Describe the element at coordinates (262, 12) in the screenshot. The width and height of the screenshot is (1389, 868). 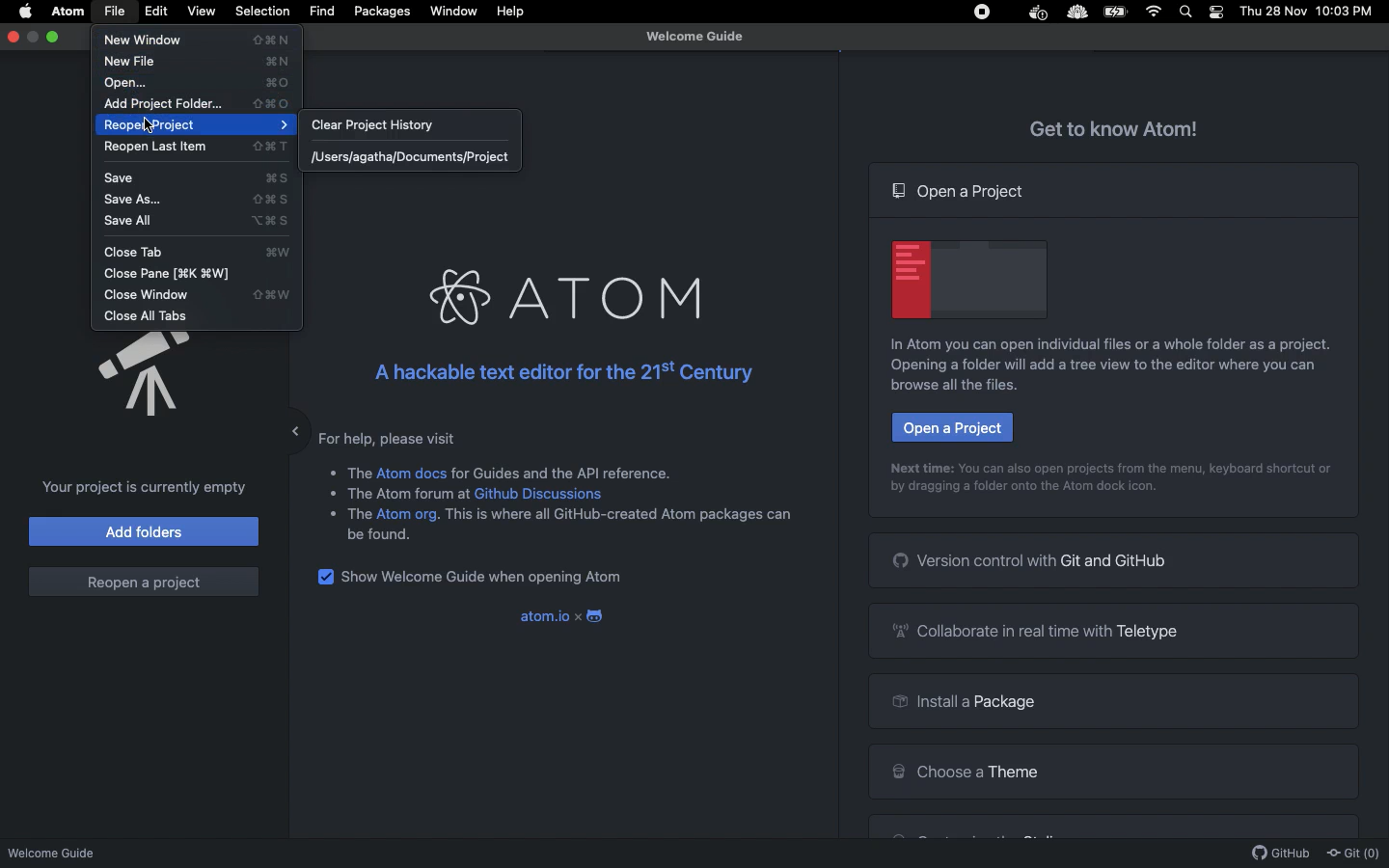
I see `Selection` at that location.